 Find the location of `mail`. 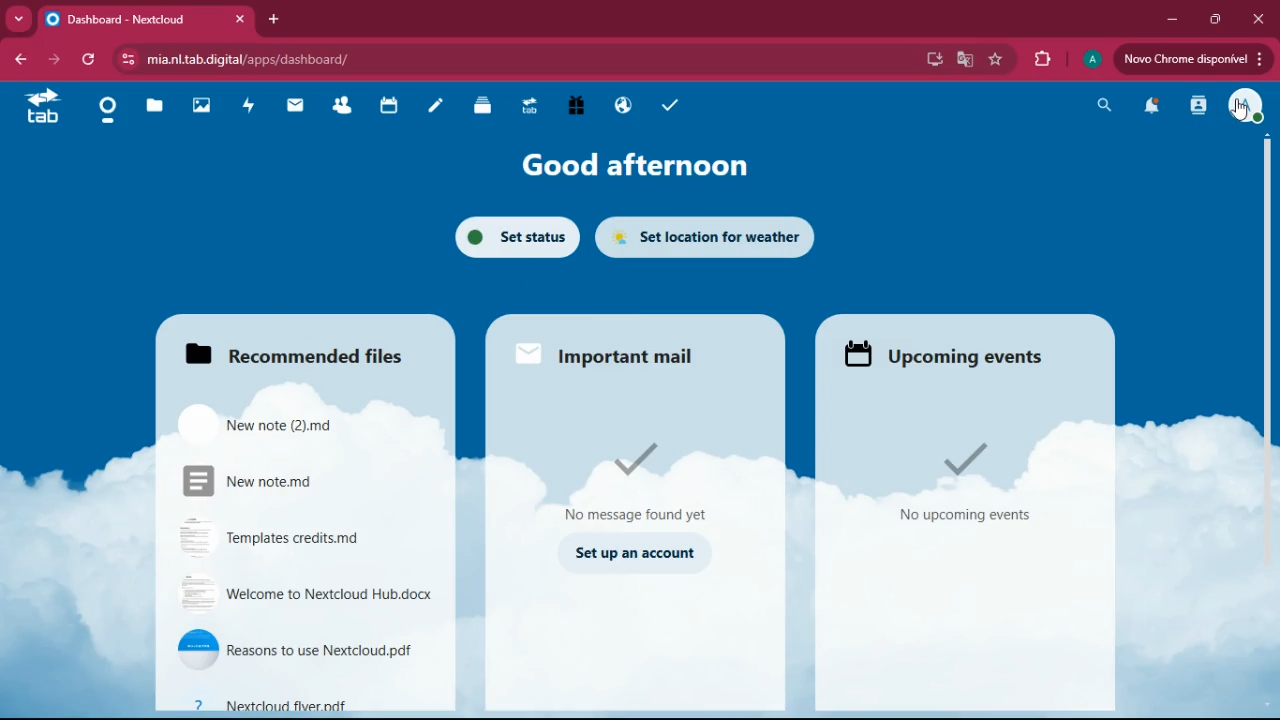

mail is located at coordinates (298, 106).